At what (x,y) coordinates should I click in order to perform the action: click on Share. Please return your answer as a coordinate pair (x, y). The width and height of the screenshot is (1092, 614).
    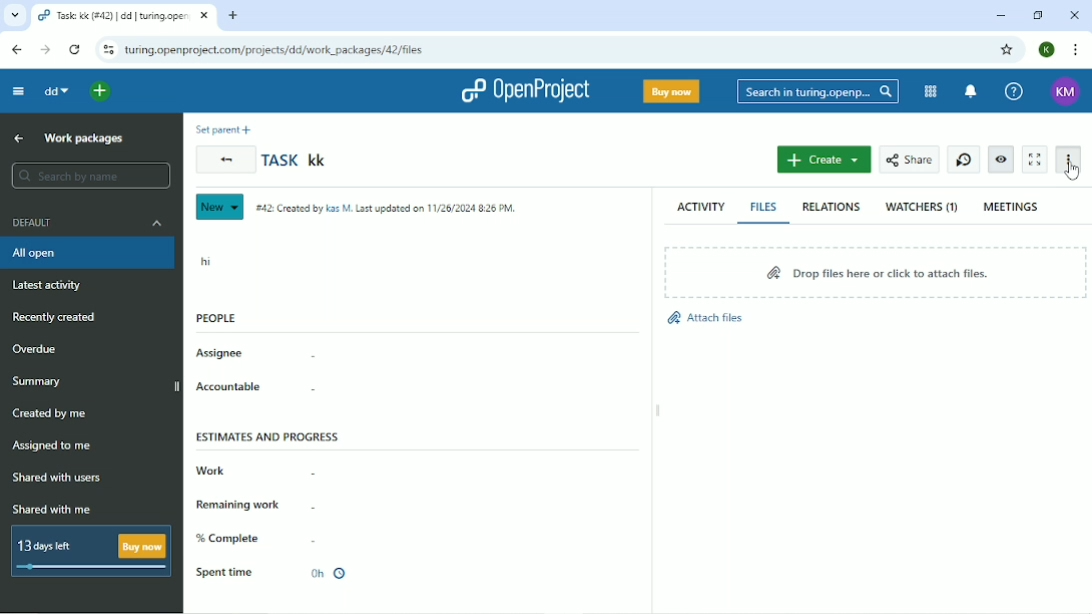
    Looking at the image, I should click on (909, 160).